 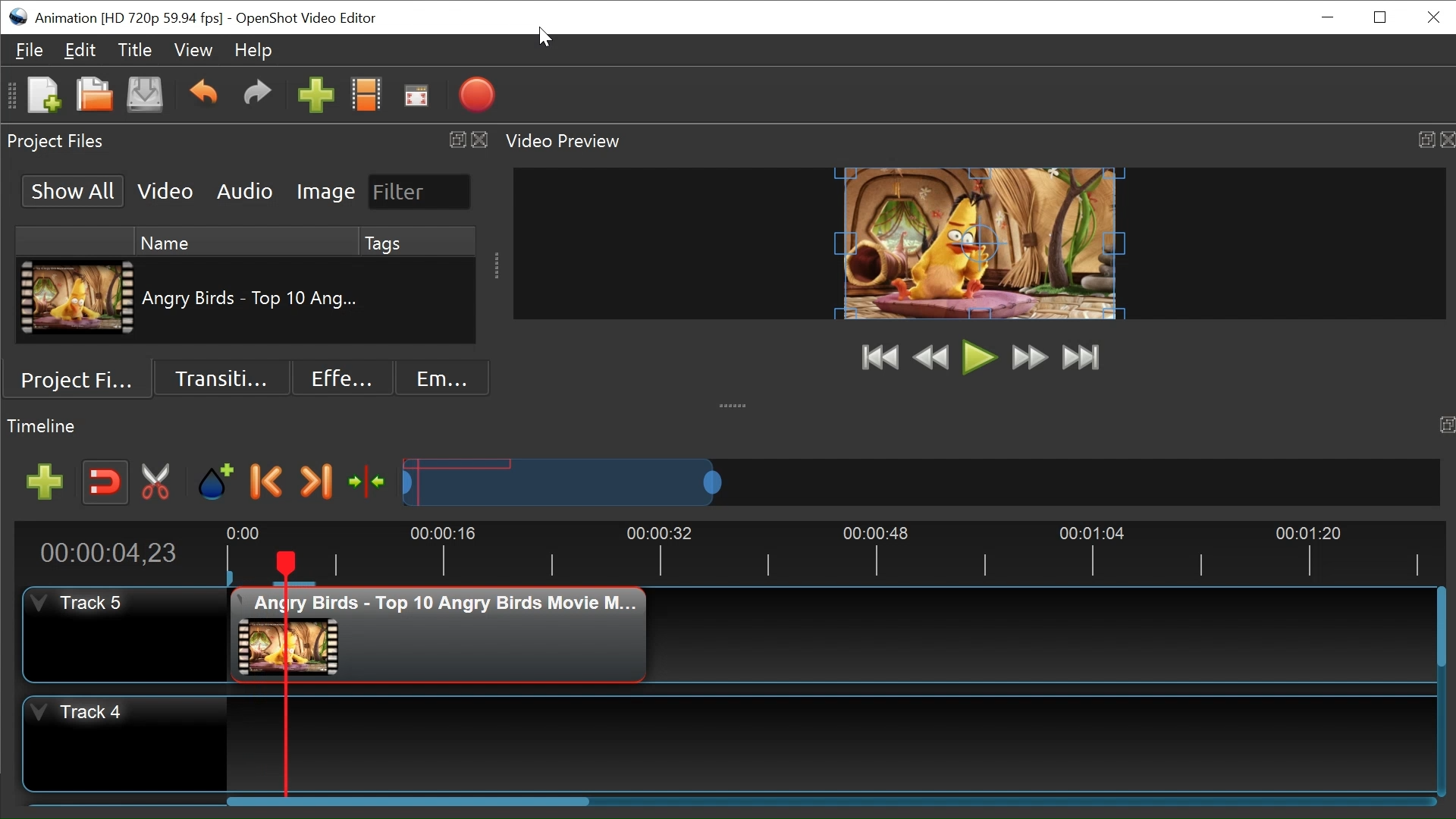 What do you see at coordinates (124, 634) in the screenshot?
I see `Track Header` at bounding box center [124, 634].